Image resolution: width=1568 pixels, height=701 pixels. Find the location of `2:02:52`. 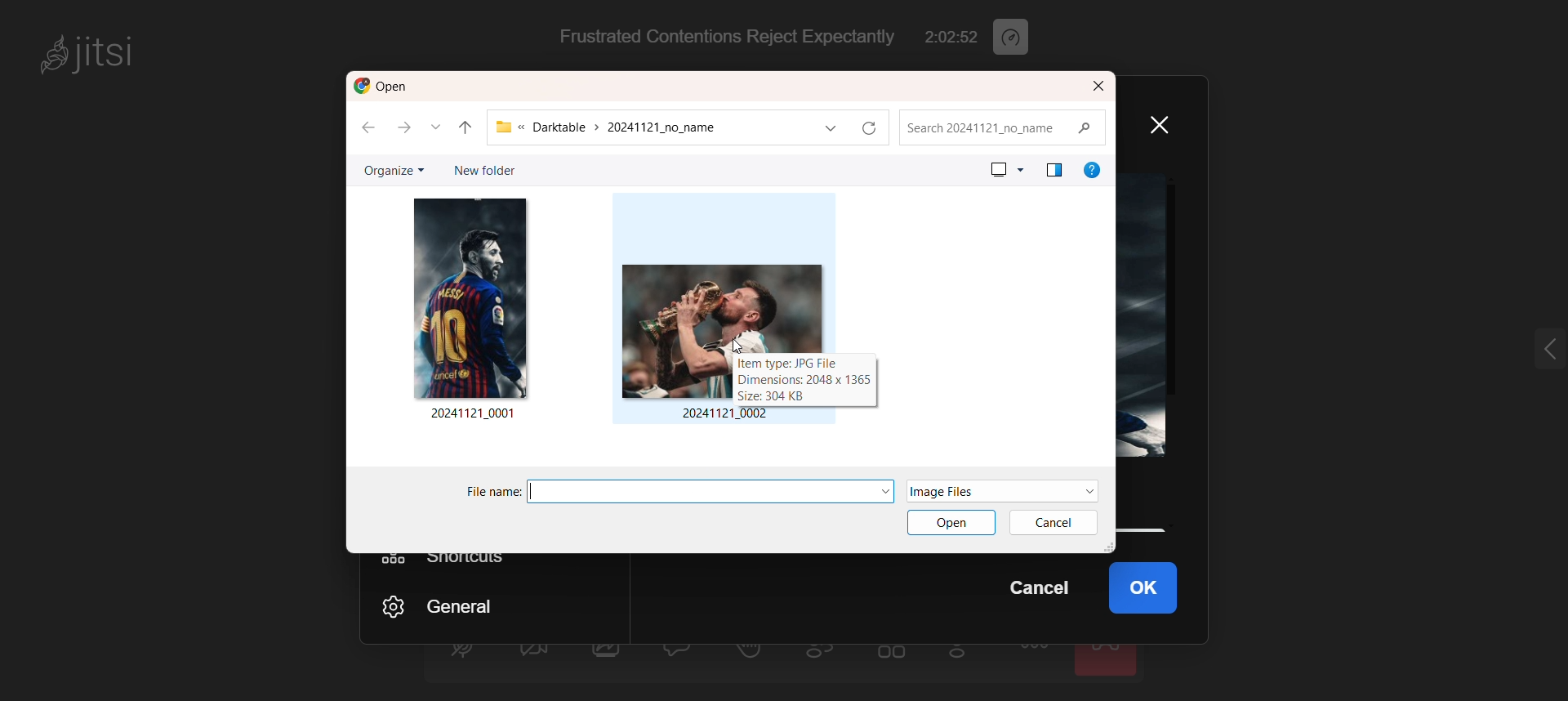

2:02:52 is located at coordinates (952, 38).